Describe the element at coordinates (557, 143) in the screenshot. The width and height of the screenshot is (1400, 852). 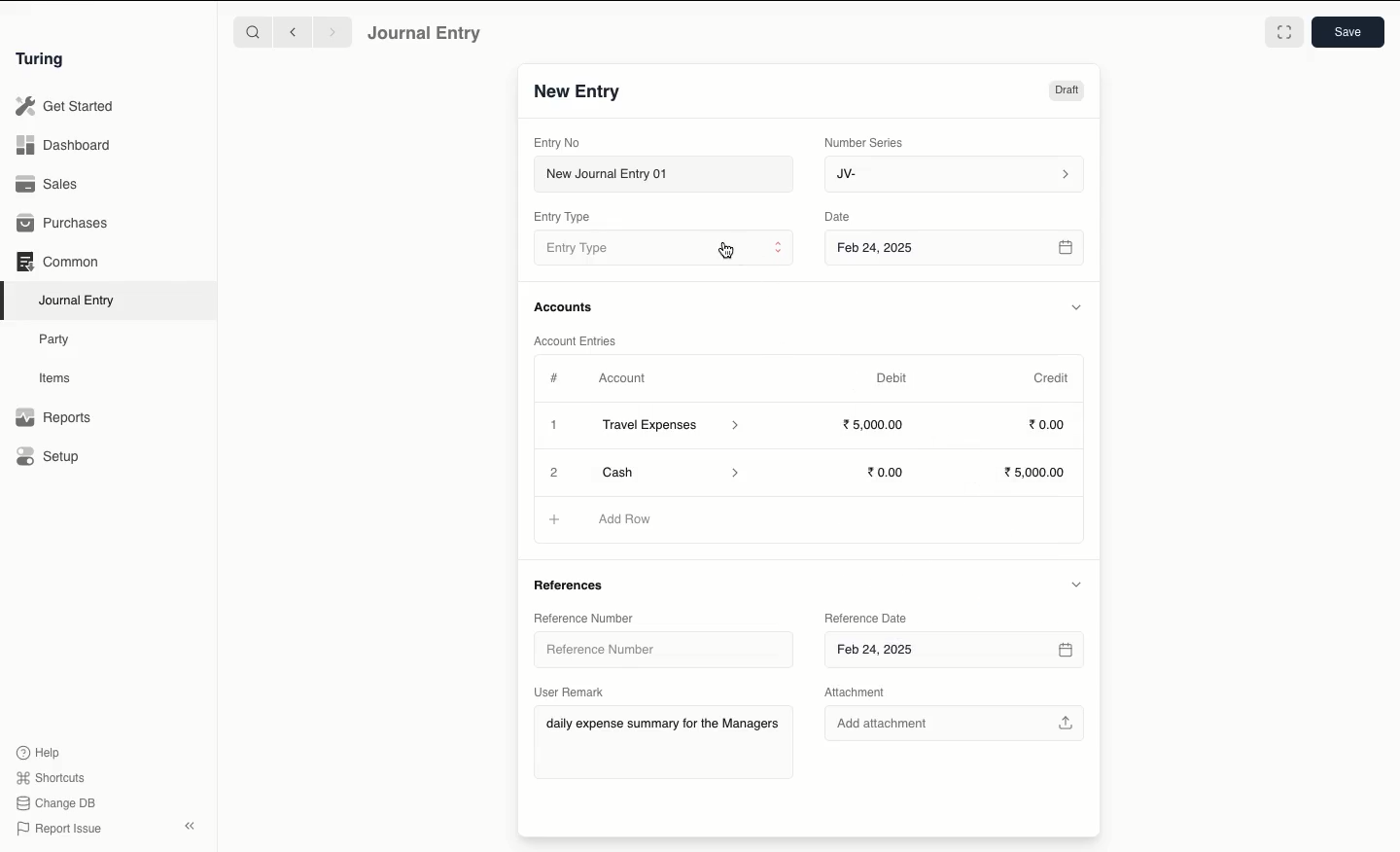
I see `Entry No` at that location.